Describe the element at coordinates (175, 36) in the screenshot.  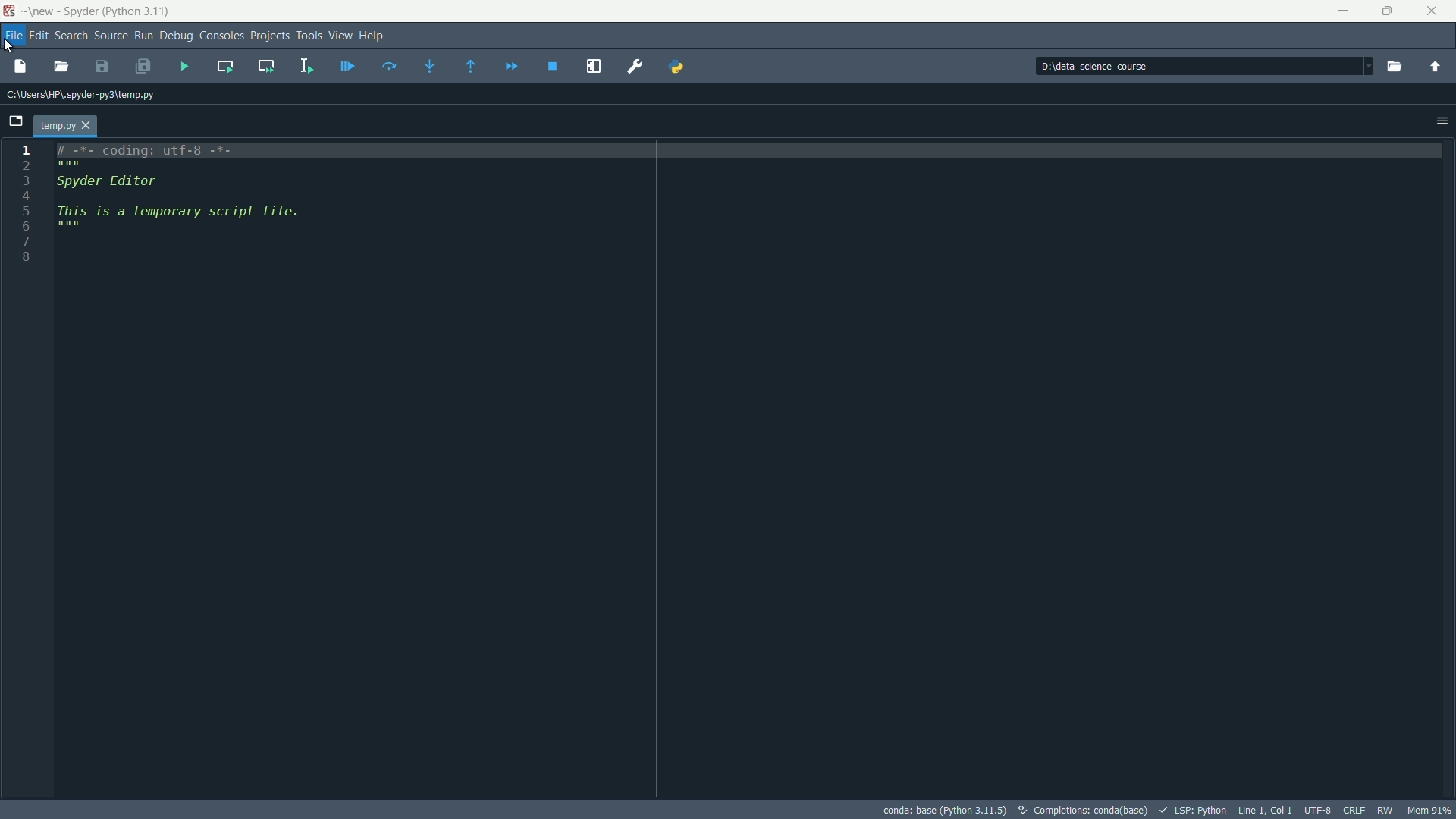
I see `debug menu` at that location.